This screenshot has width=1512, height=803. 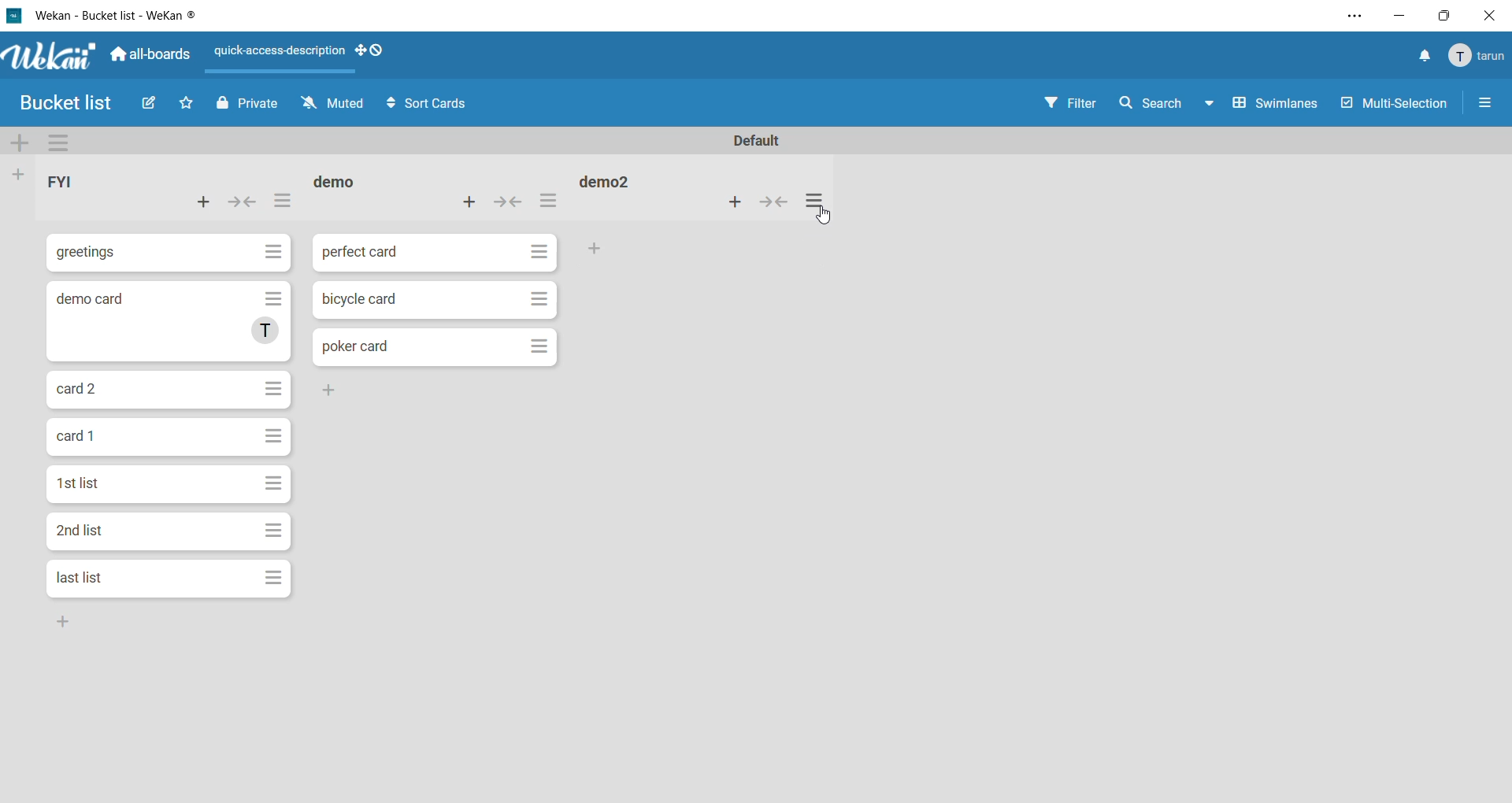 What do you see at coordinates (172, 324) in the screenshot?
I see `cards` at bounding box center [172, 324].